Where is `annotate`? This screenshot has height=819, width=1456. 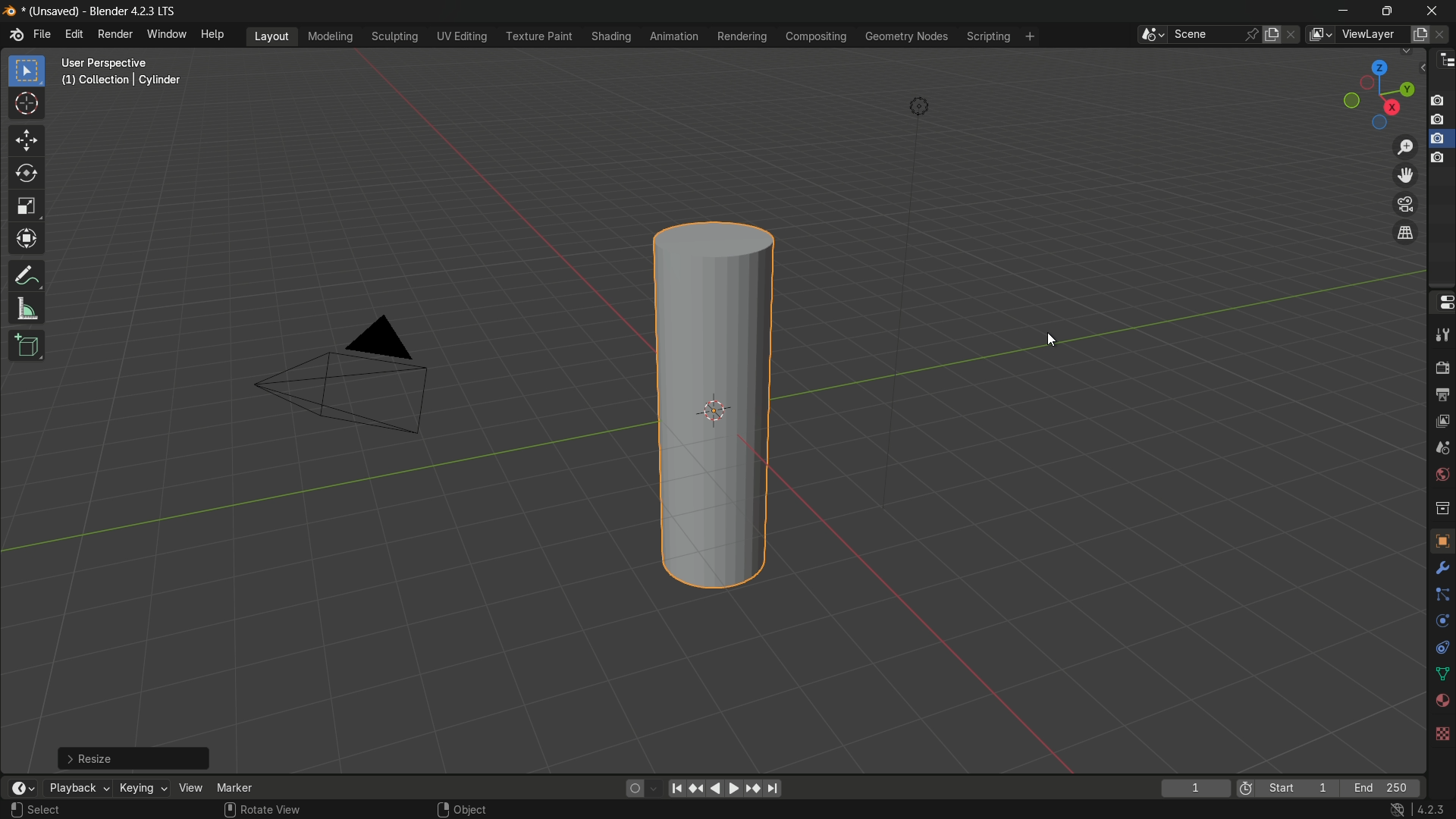 annotate is located at coordinates (26, 277).